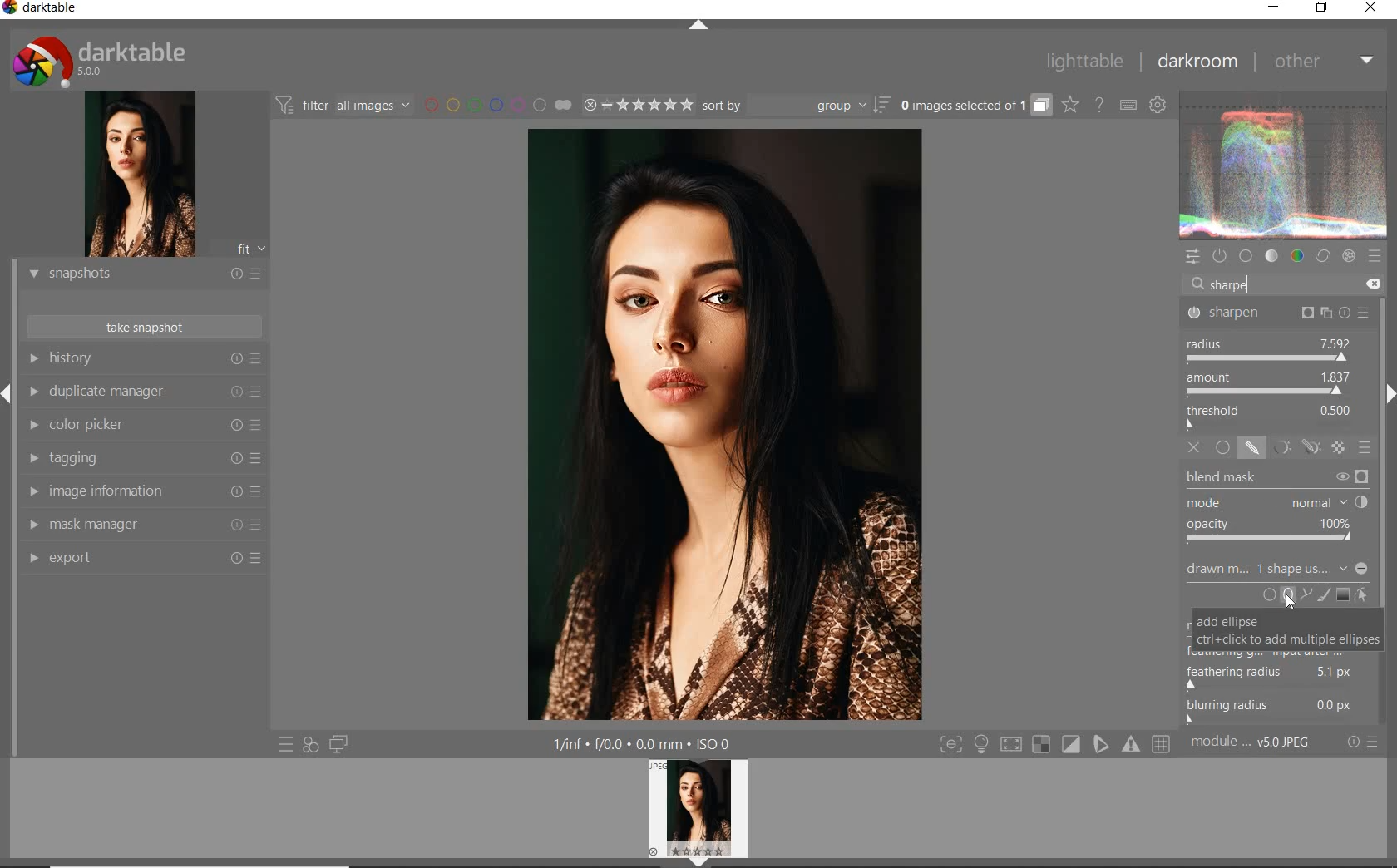  Describe the element at coordinates (1158, 105) in the screenshot. I see `show global preferences` at that location.